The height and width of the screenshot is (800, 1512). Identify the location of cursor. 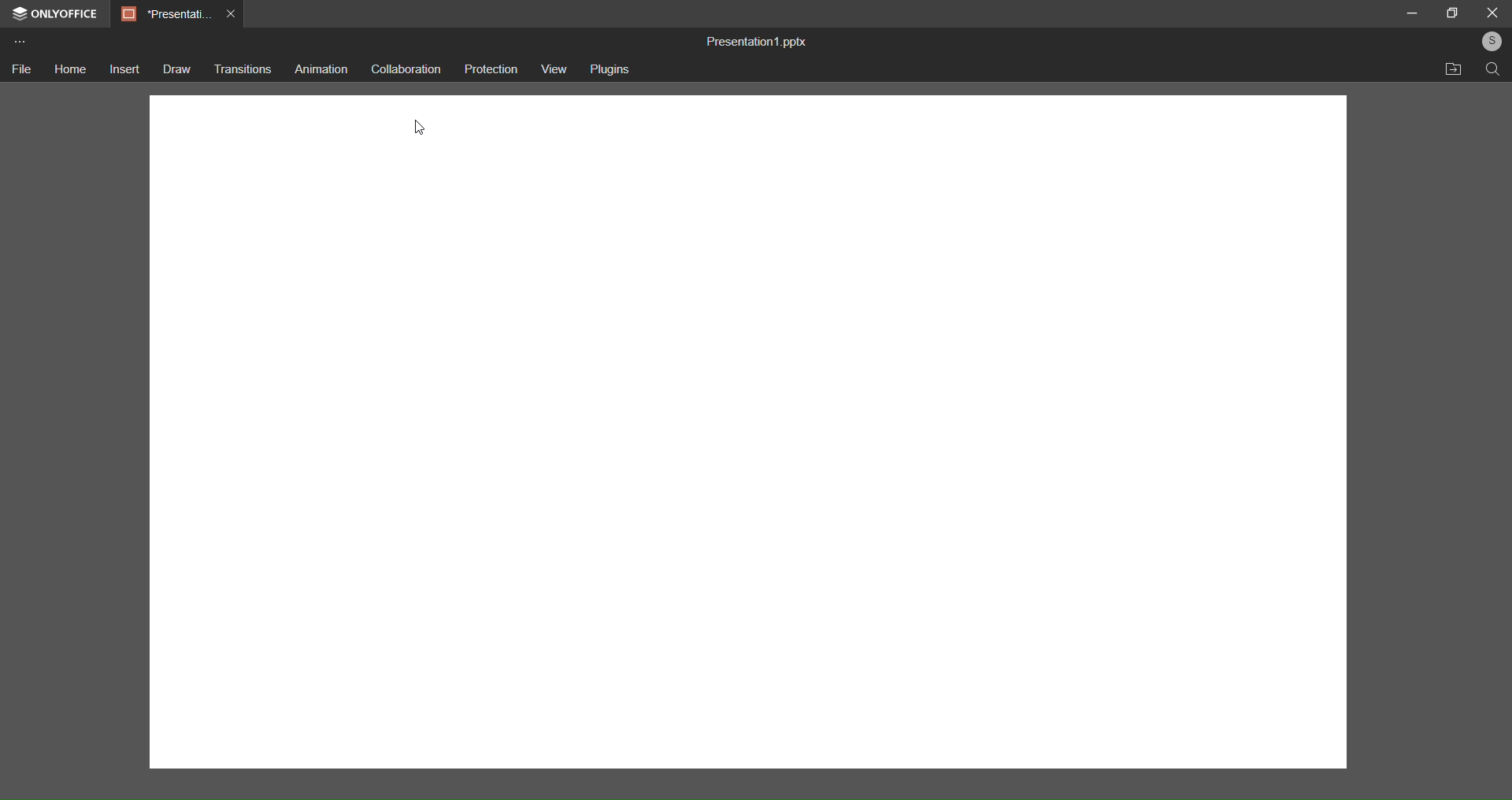
(424, 127).